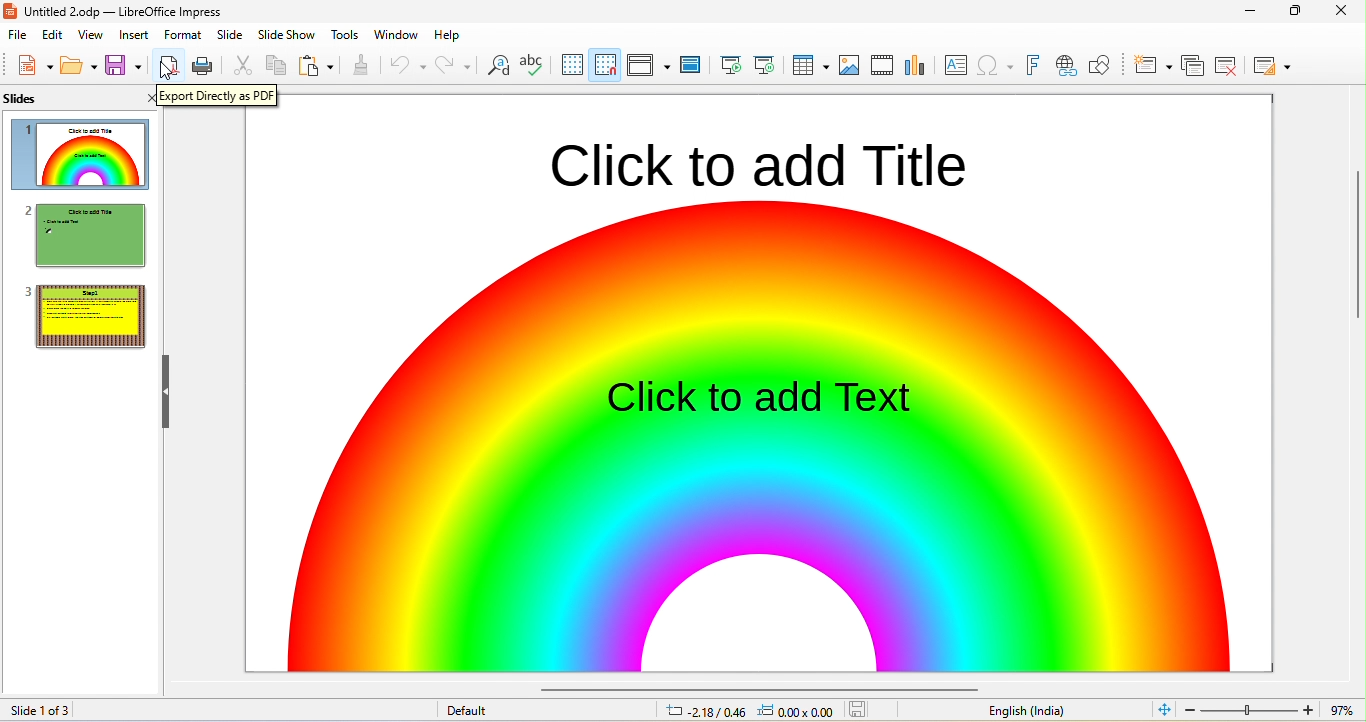 The image size is (1366, 722). I want to click on clone, so click(361, 64).